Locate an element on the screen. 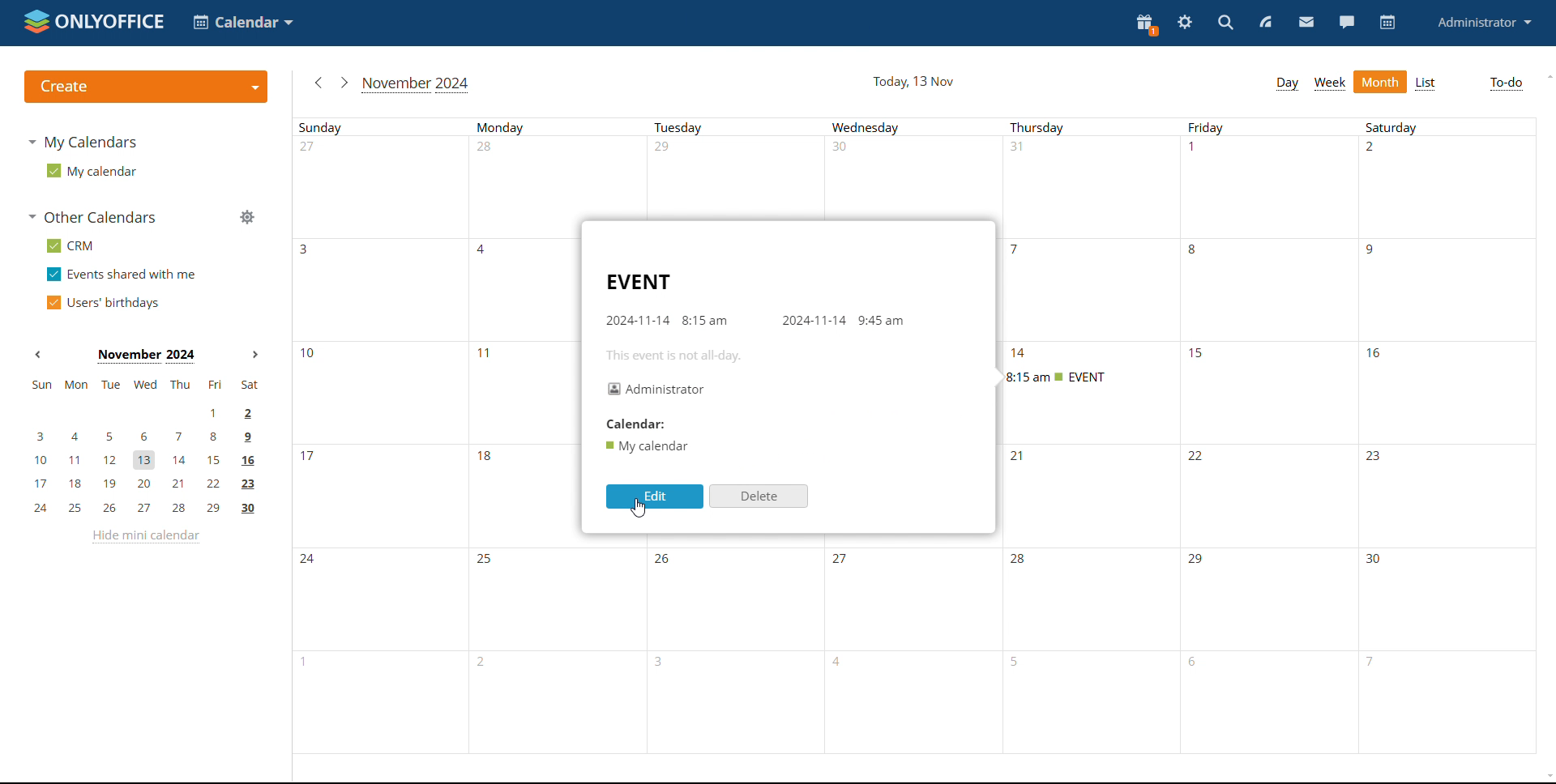  next month is located at coordinates (253, 355).